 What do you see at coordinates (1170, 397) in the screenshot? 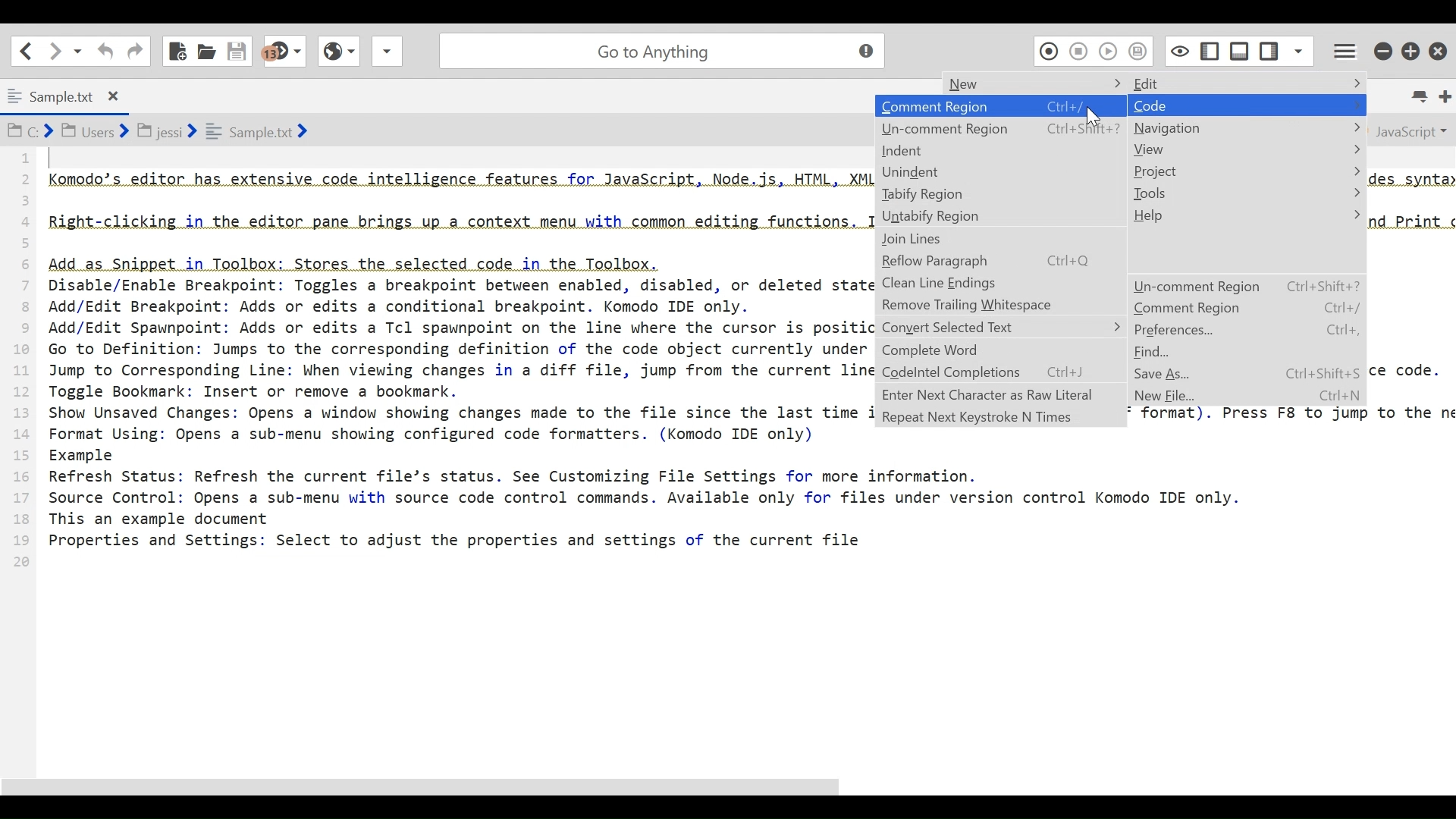
I see `New File` at bounding box center [1170, 397].